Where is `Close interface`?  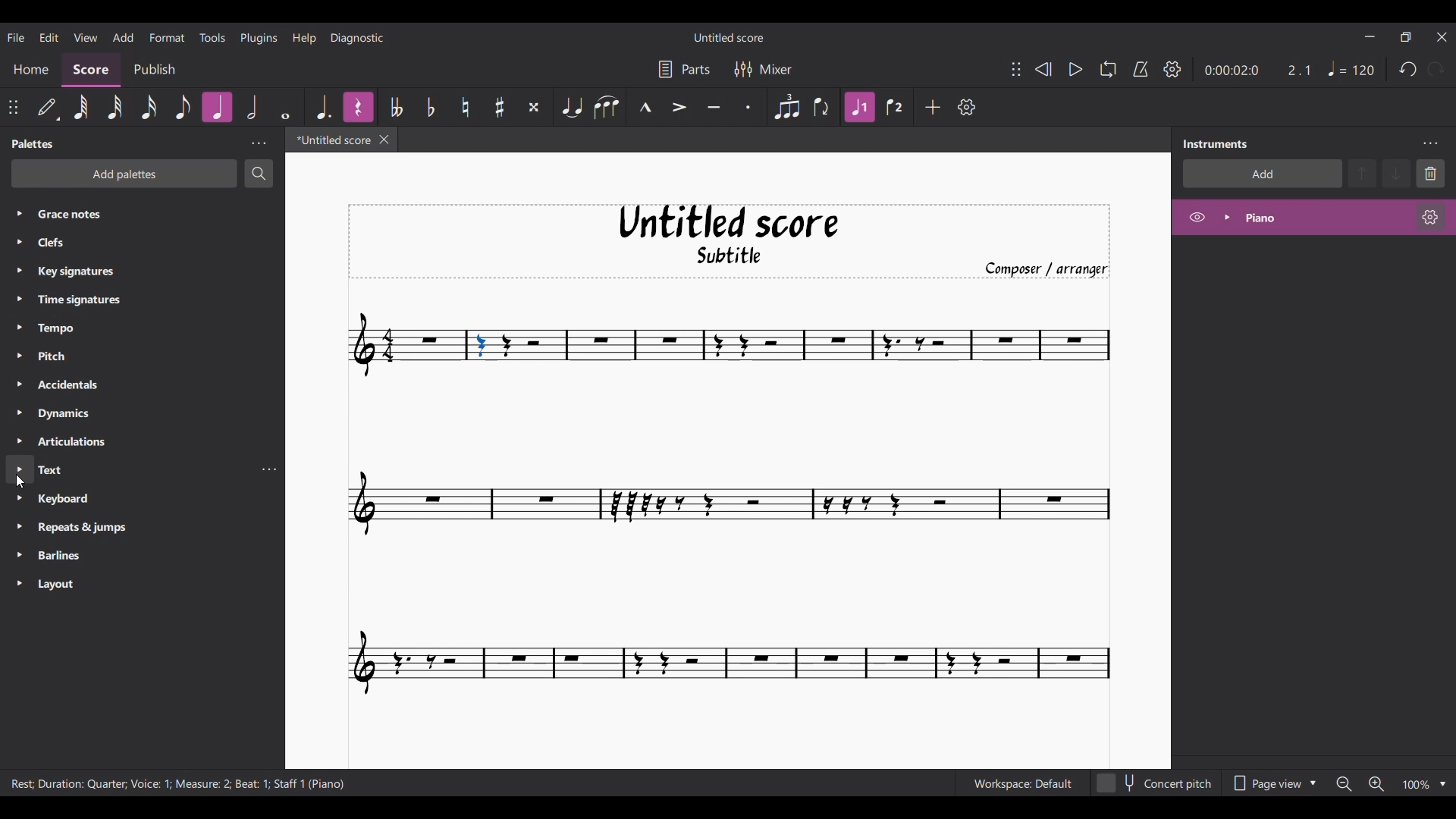
Close interface is located at coordinates (1442, 37).